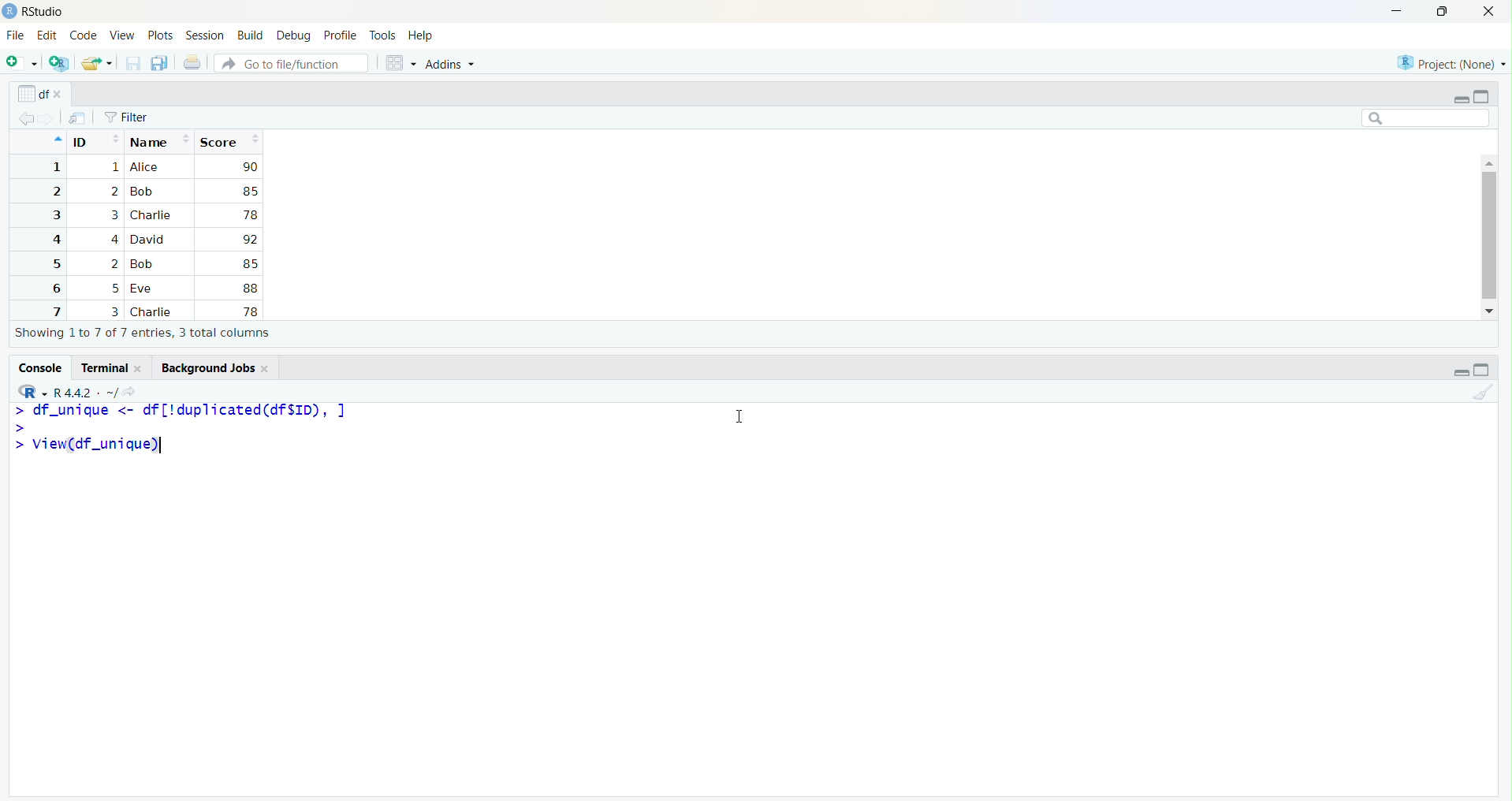 This screenshot has height=801, width=1512. What do you see at coordinates (249, 311) in the screenshot?
I see `78` at bounding box center [249, 311].